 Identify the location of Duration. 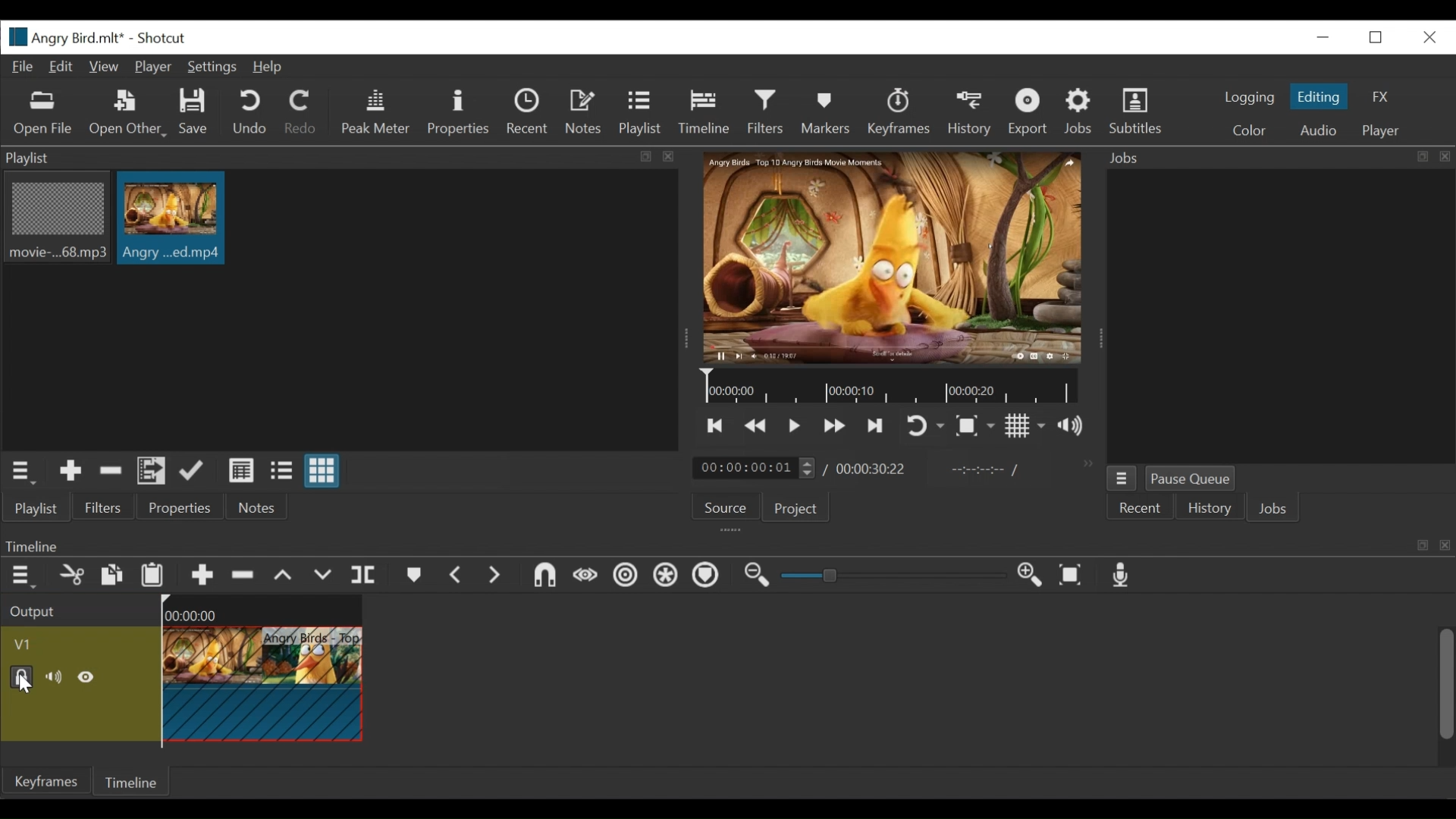
(873, 469).